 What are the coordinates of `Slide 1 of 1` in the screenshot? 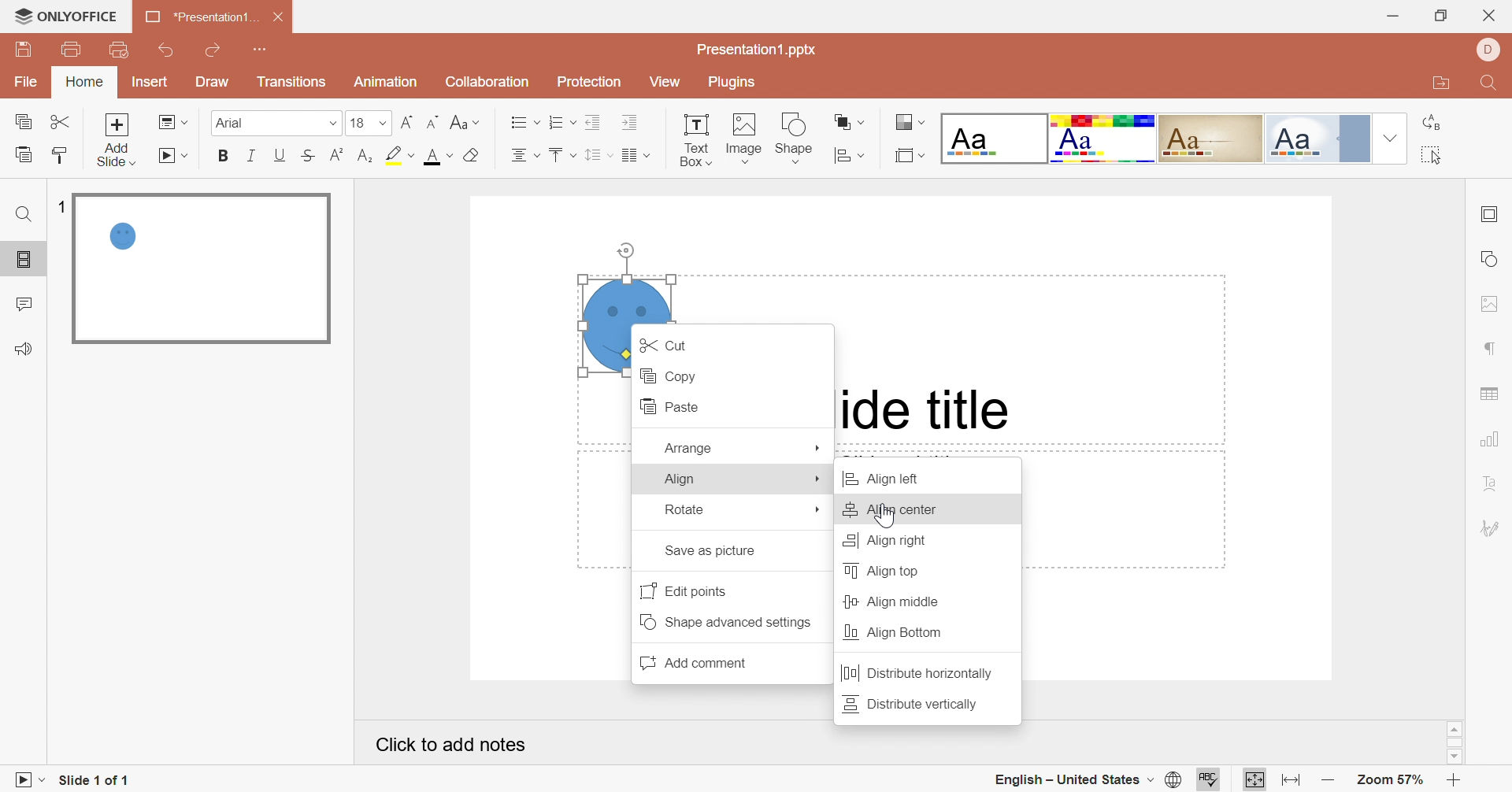 It's located at (97, 779).